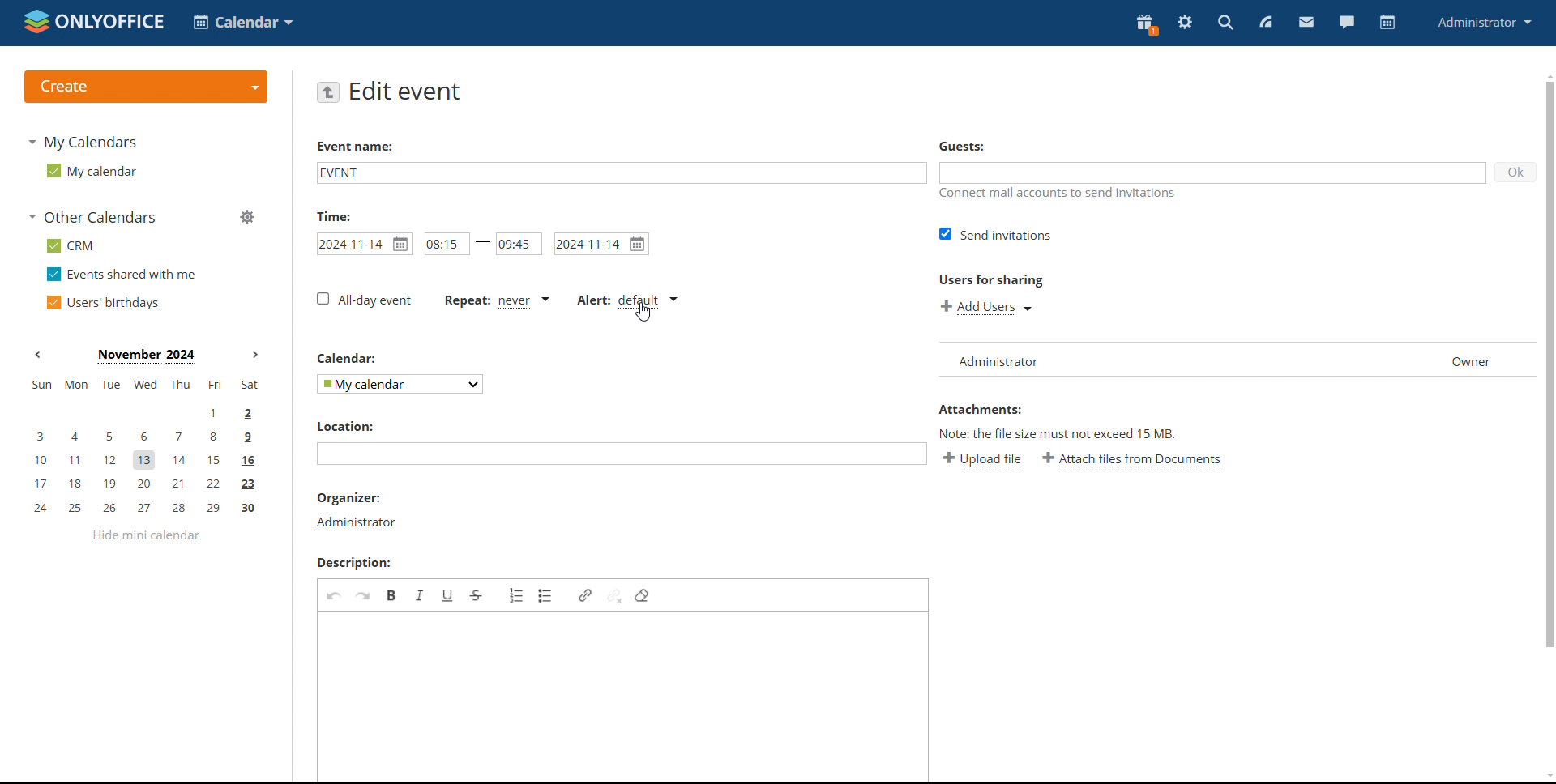  What do you see at coordinates (1388, 23) in the screenshot?
I see `calendar` at bounding box center [1388, 23].